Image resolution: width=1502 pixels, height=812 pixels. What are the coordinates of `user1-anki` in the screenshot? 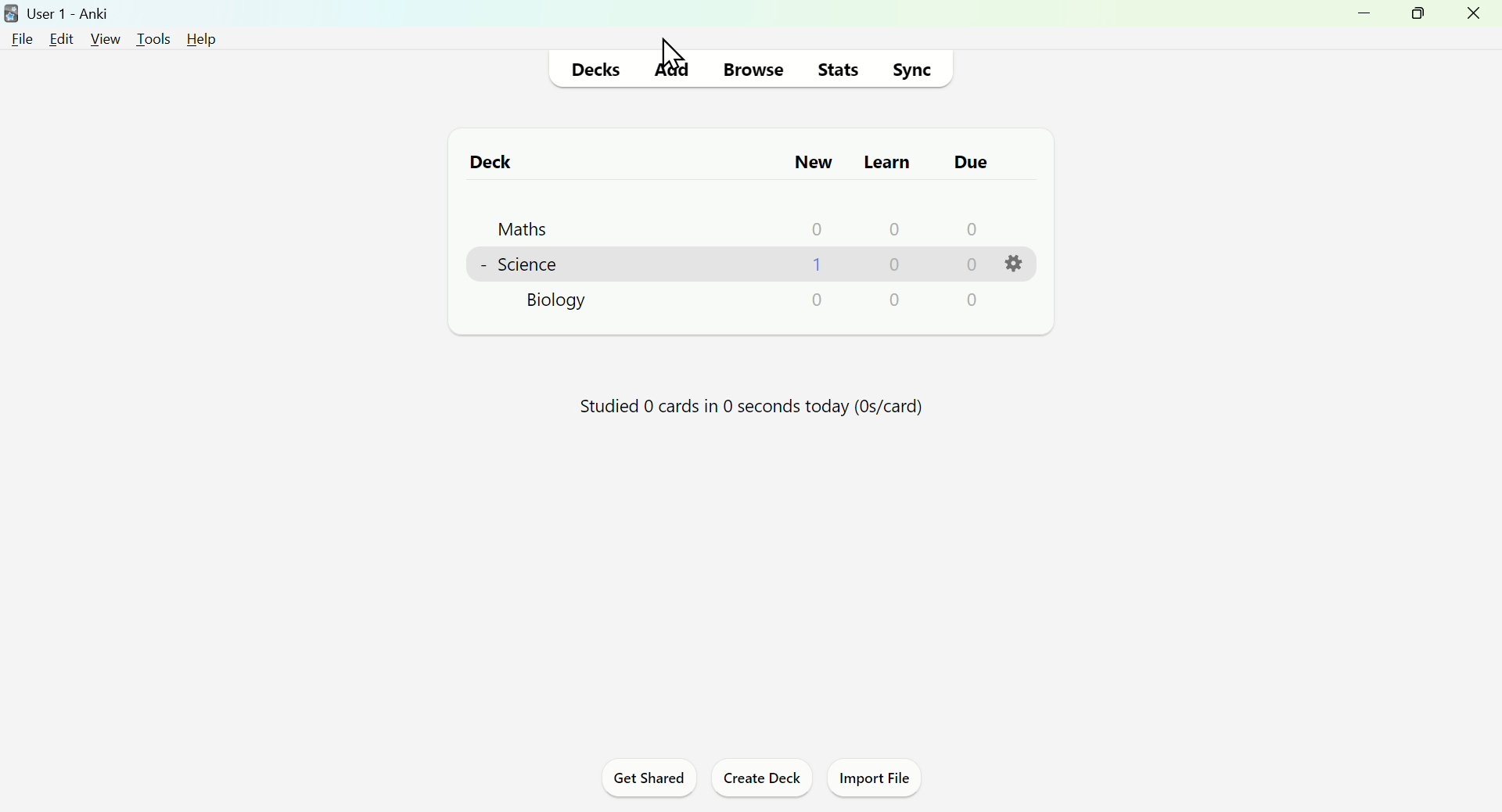 It's located at (58, 13).